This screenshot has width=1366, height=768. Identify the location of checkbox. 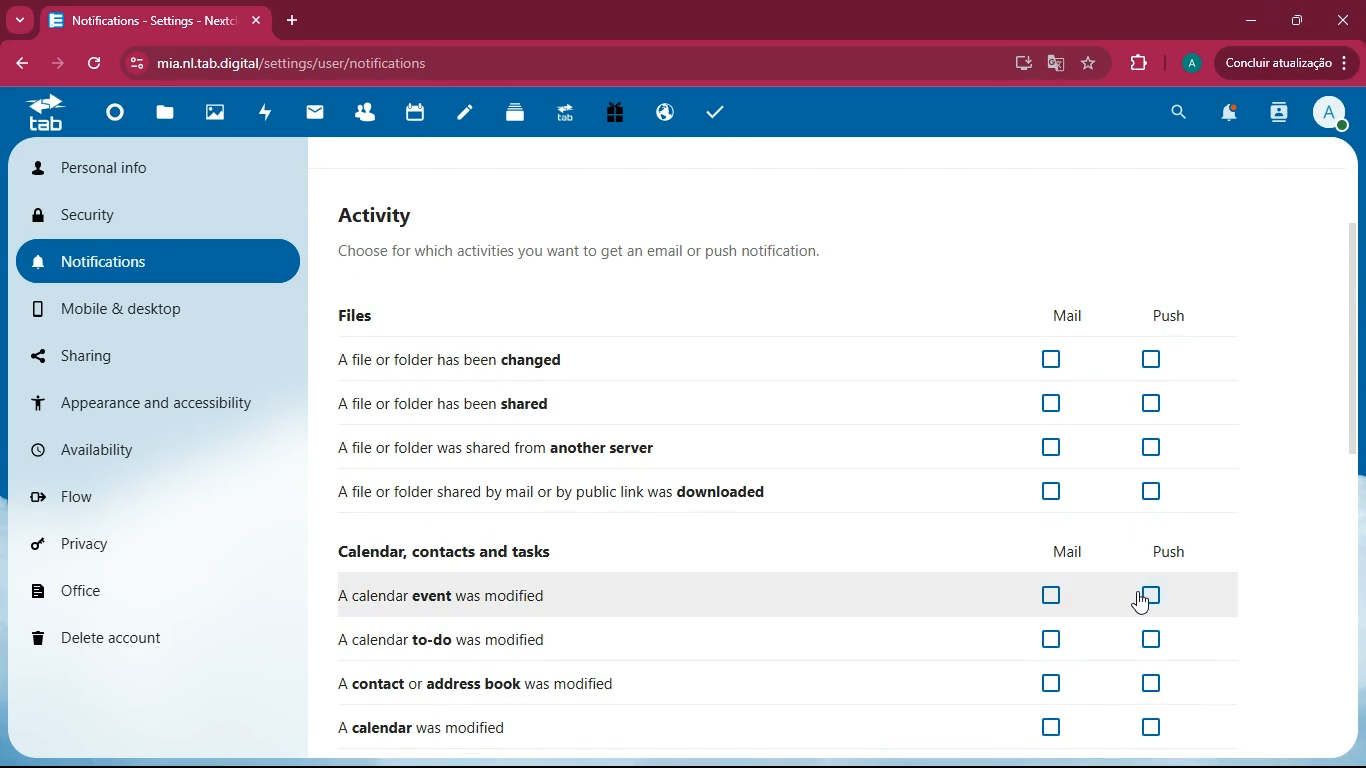
(1152, 359).